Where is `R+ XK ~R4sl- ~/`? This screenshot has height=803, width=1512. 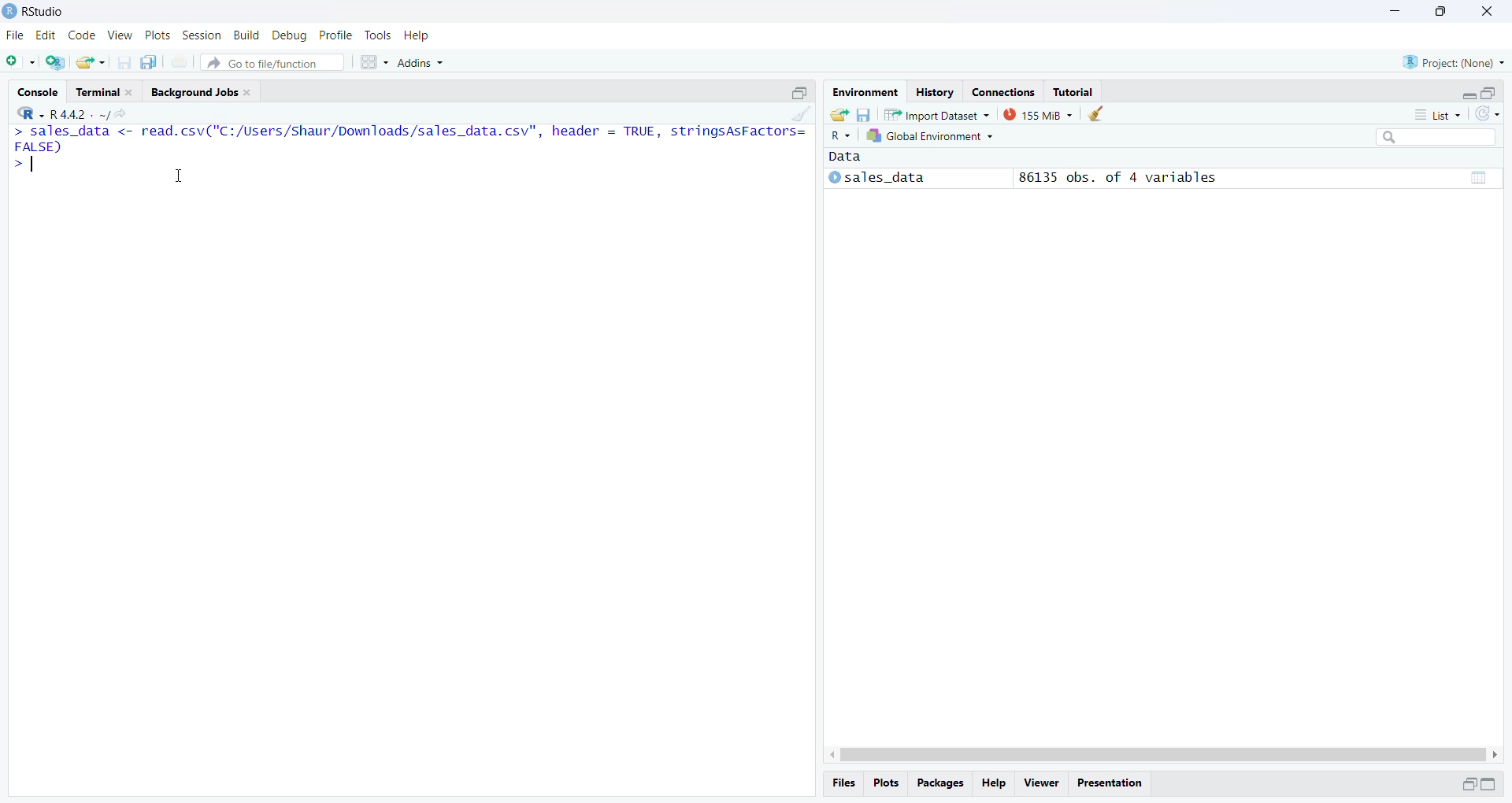
R+ XK ~R4sl- ~/ is located at coordinates (72, 114).